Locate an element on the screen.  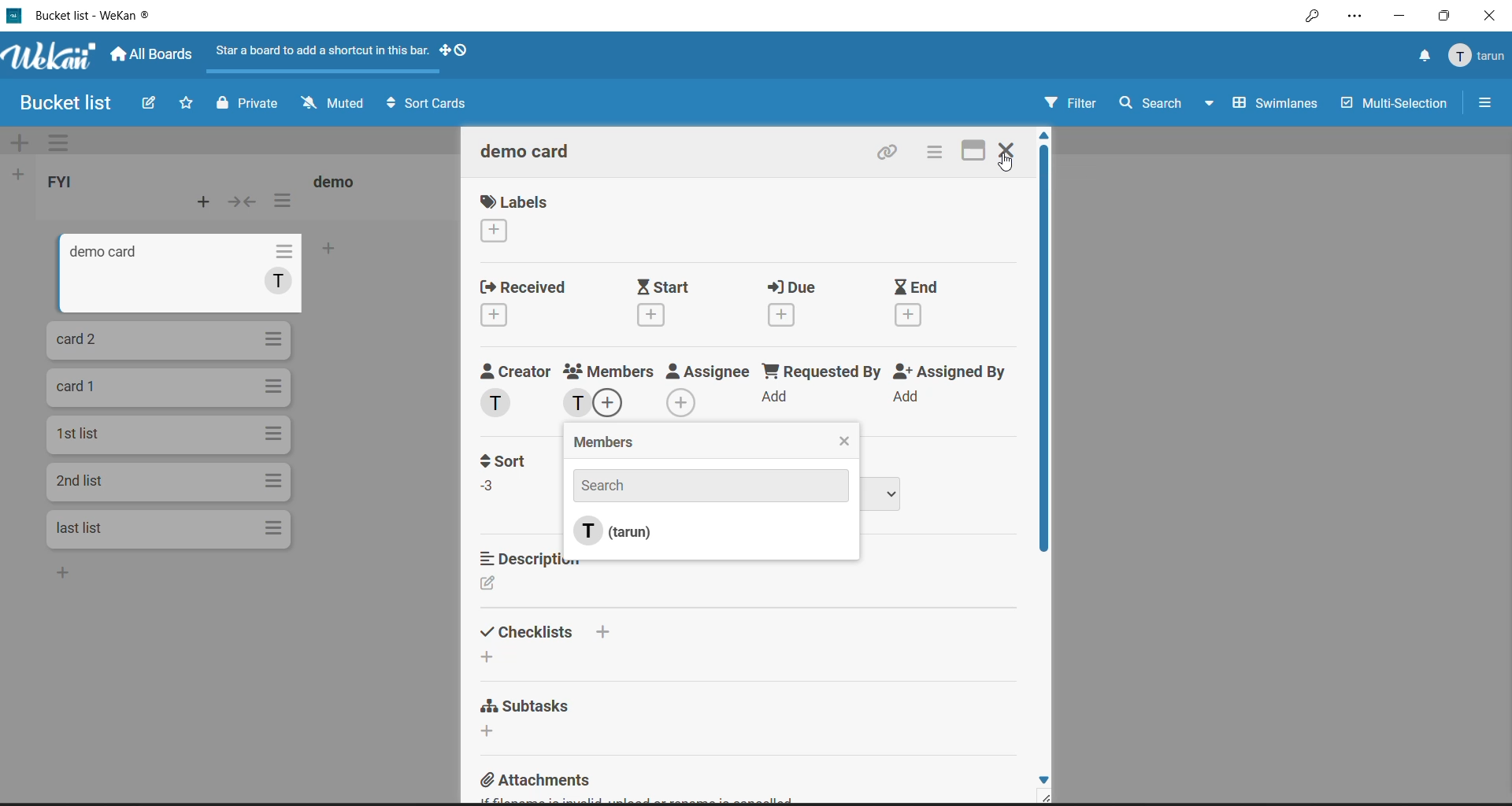
search is located at coordinates (708, 486).